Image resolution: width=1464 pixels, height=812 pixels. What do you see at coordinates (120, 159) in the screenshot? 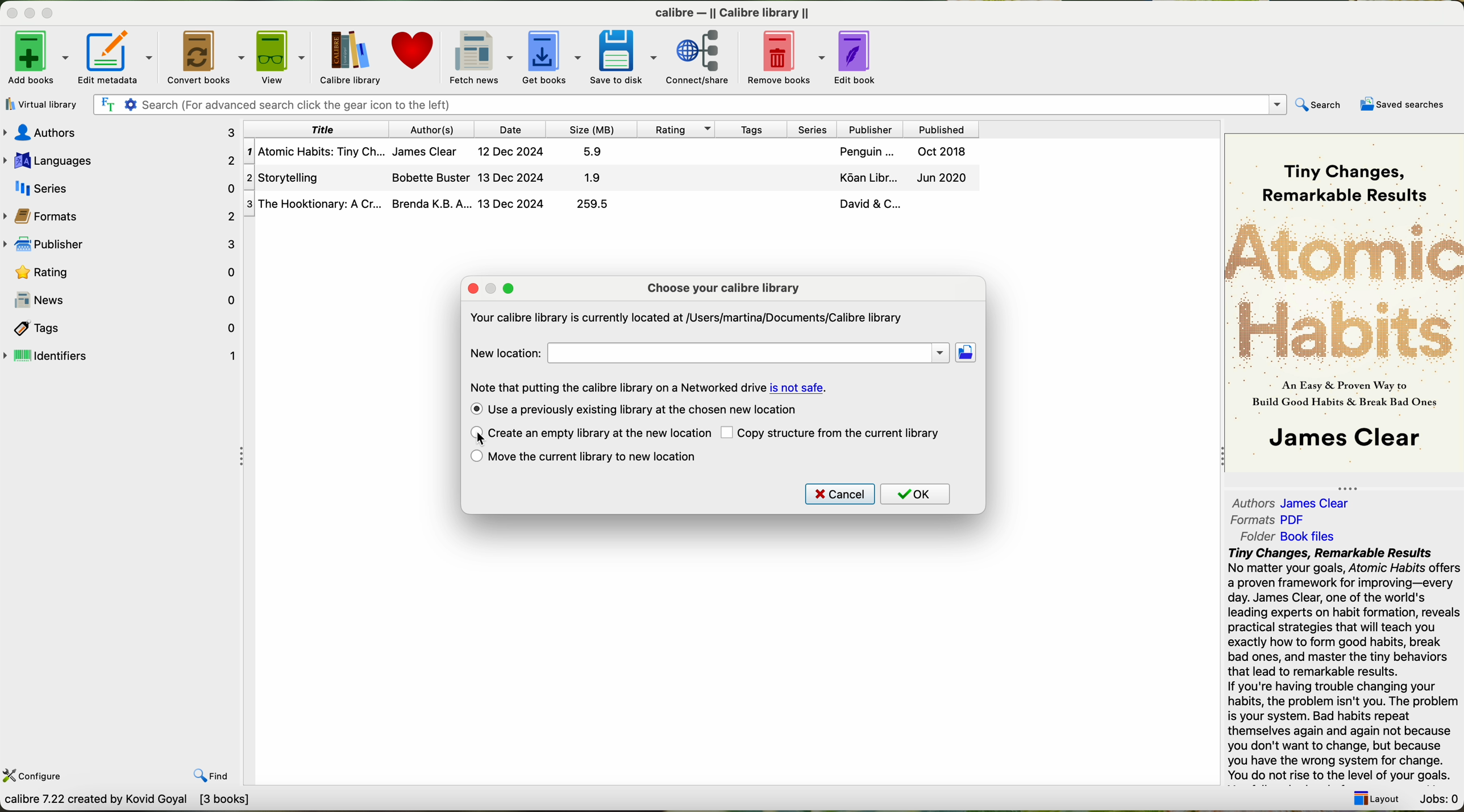
I see `languages` at bounding box center [120, 159].